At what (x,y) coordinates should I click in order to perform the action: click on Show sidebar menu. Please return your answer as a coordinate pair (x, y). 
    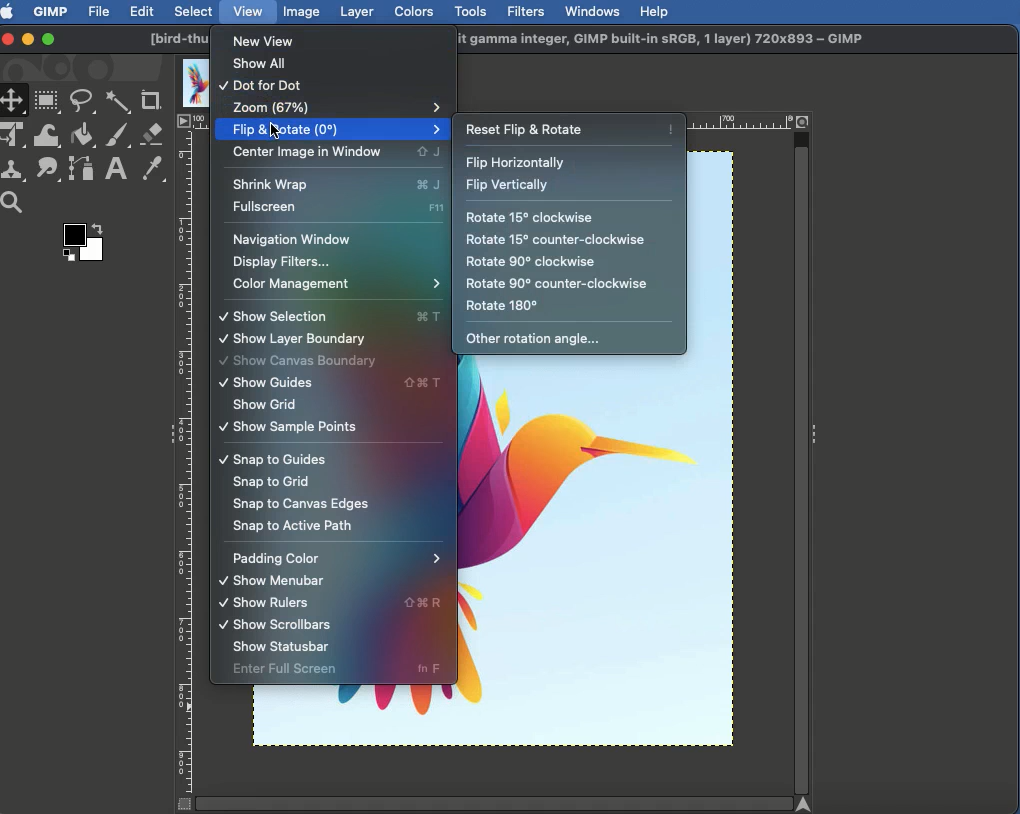
    Looking at the image, I should click on (167, 436).